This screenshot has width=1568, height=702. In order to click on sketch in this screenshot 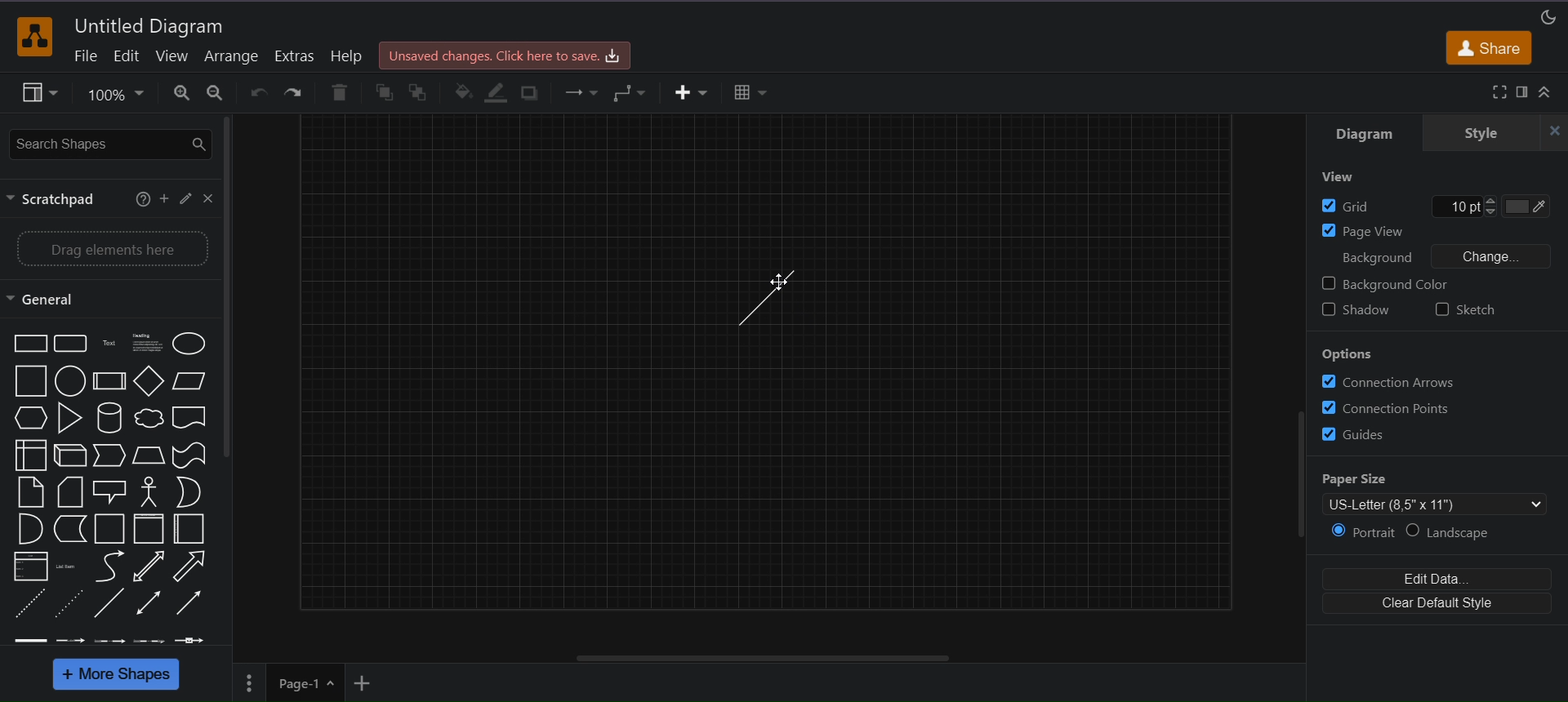, I will do `click(1481, 308)`.